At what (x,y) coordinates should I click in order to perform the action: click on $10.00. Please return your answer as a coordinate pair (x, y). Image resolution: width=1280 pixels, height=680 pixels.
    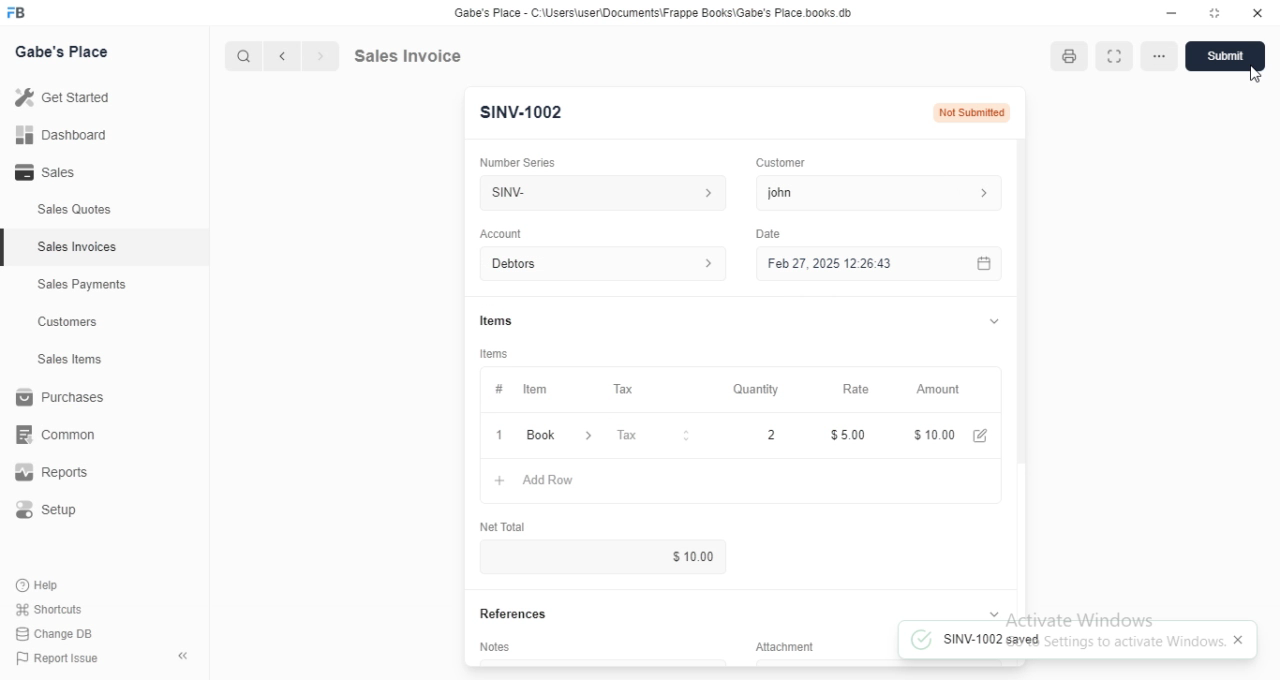
    Looking at the image, I should click on (700, 555).